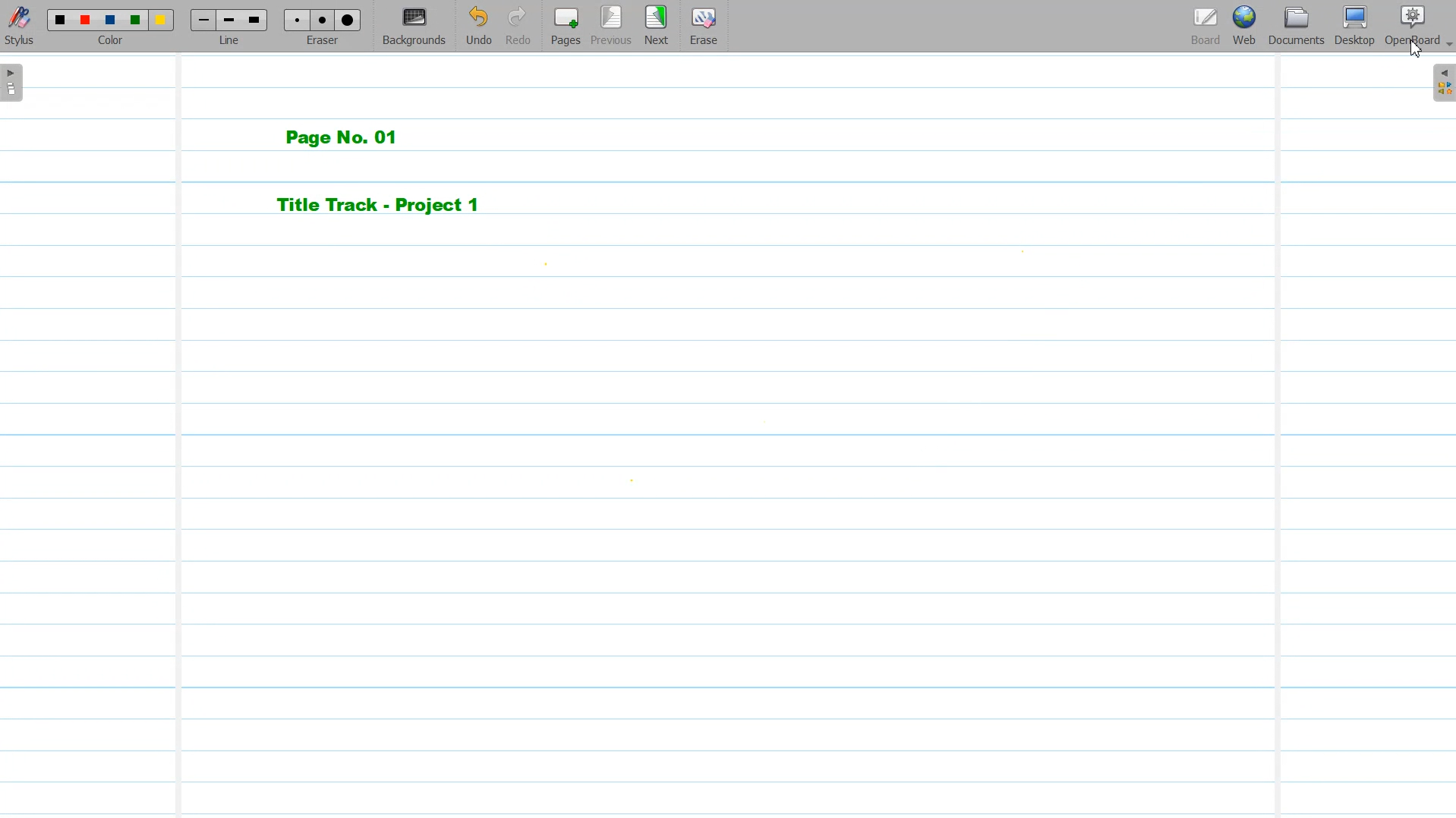  What do you see at coordinates (323, 27) in the screenshot?
I see `Eraser` at bounding box center [323, 27].